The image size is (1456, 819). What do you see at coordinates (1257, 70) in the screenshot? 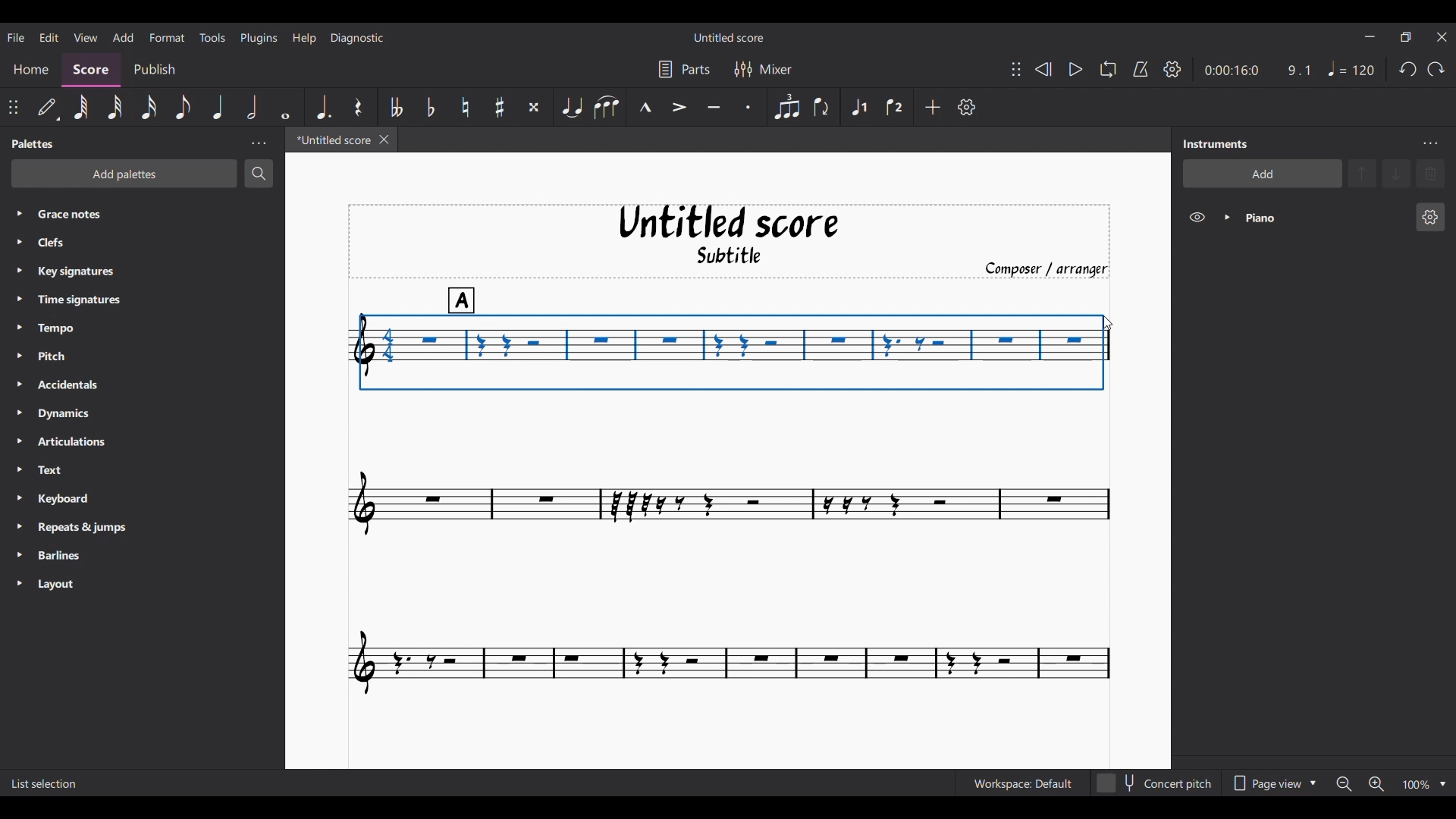
I see `Ratio and duration of current note in score` at bounding box center [1257, 70].